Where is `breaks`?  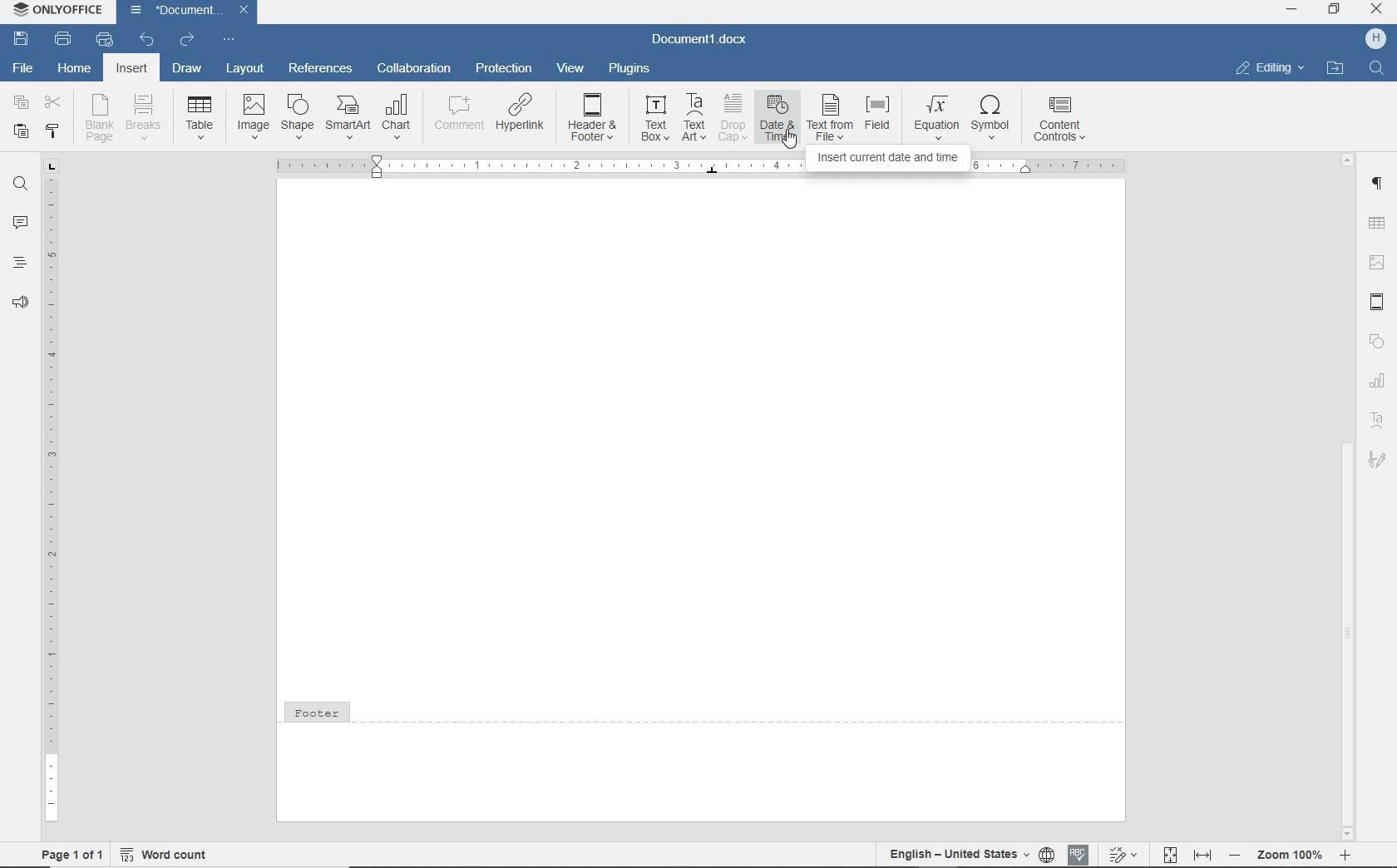
breaks is located at coordinates (146, 118).